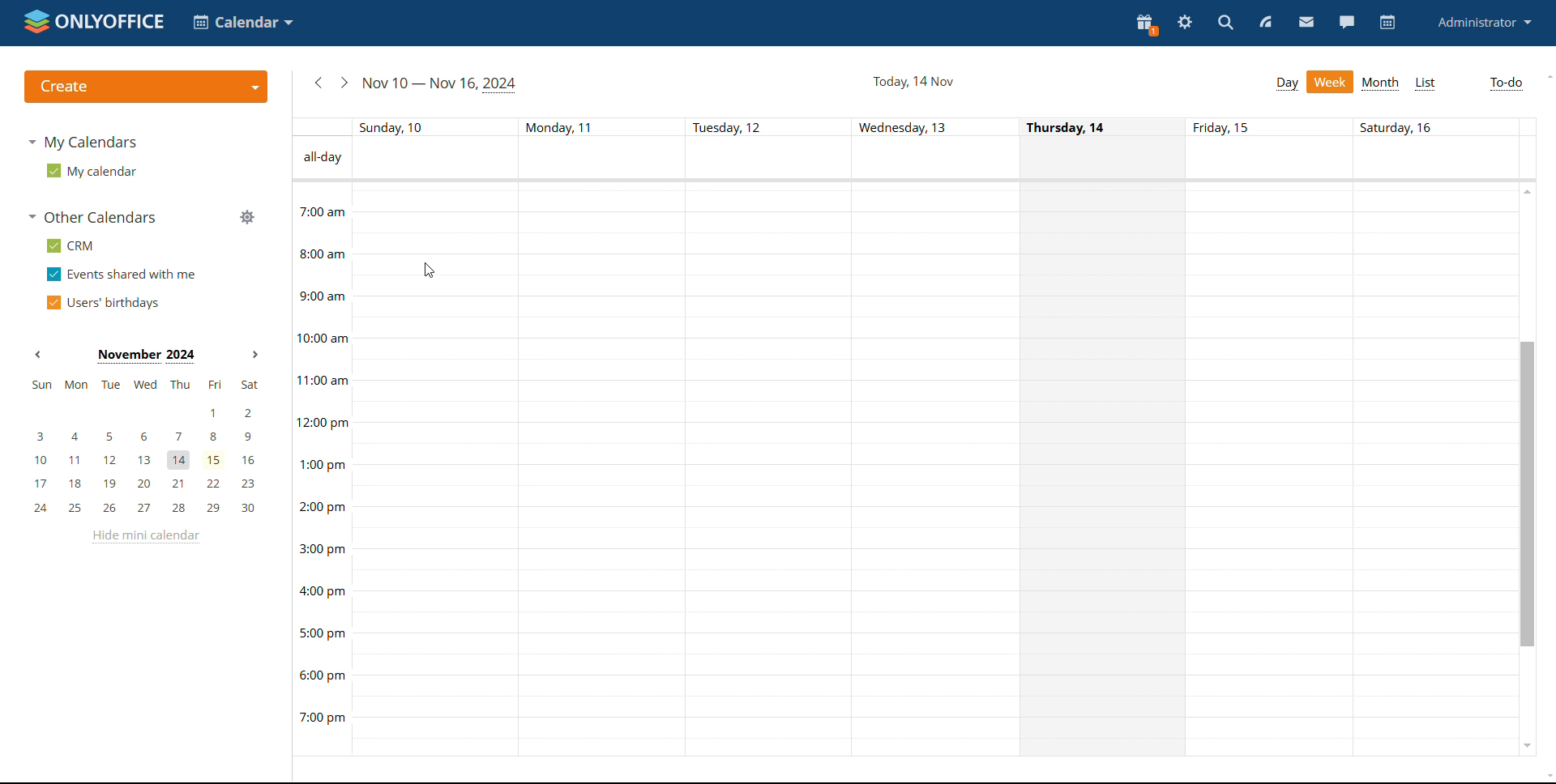  What do you see at coordinates (1507, 83) in the screenshot?
I see `to-do` at bounding box center [1507, 83].